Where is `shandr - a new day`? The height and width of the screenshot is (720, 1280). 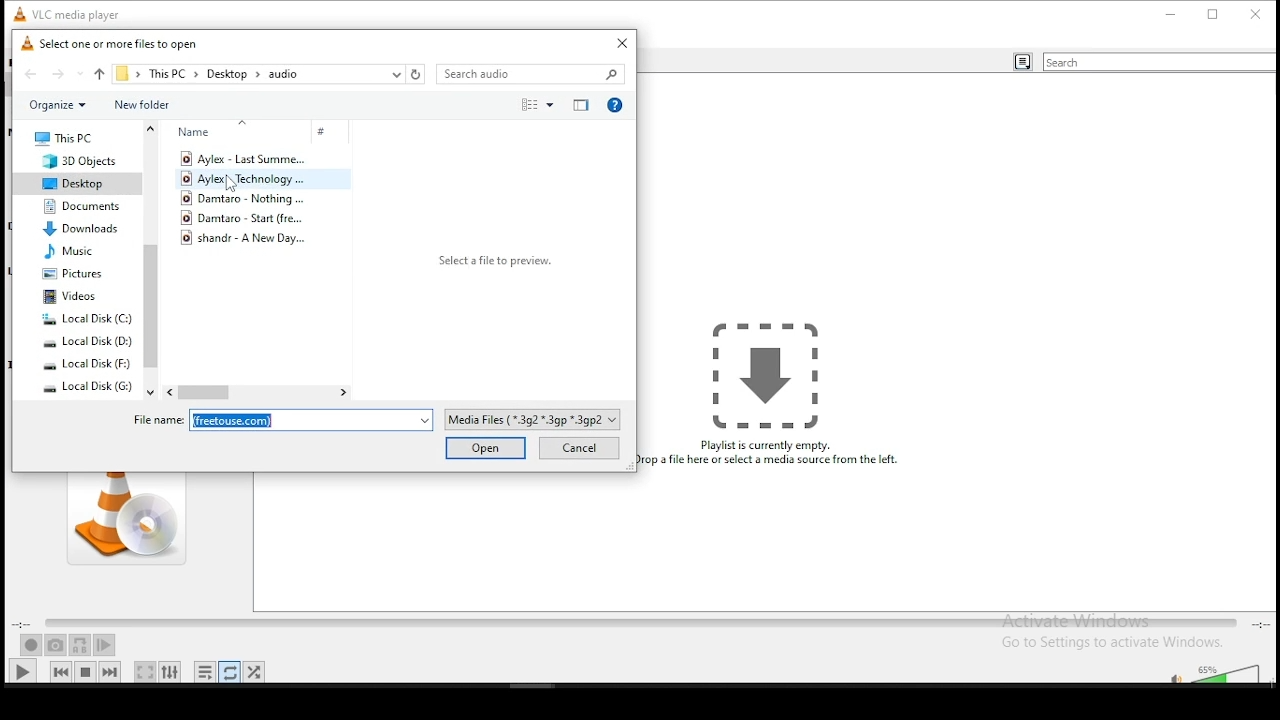
shandr - a new day is located at coordinates (252, 238).